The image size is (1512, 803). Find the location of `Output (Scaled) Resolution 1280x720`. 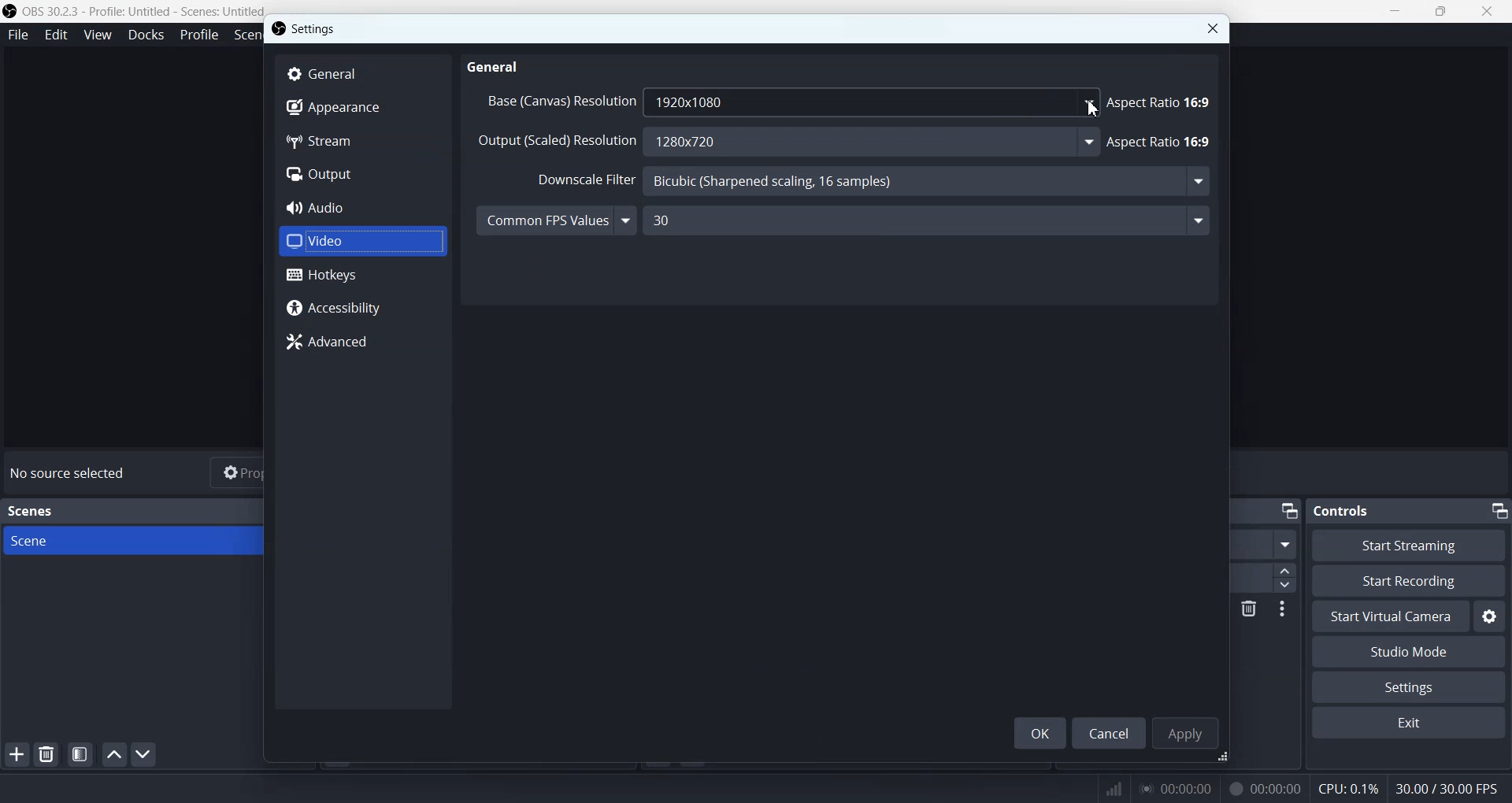

Output (Scaled) Resolution 1280x720 is located at coordinates (785, 141).